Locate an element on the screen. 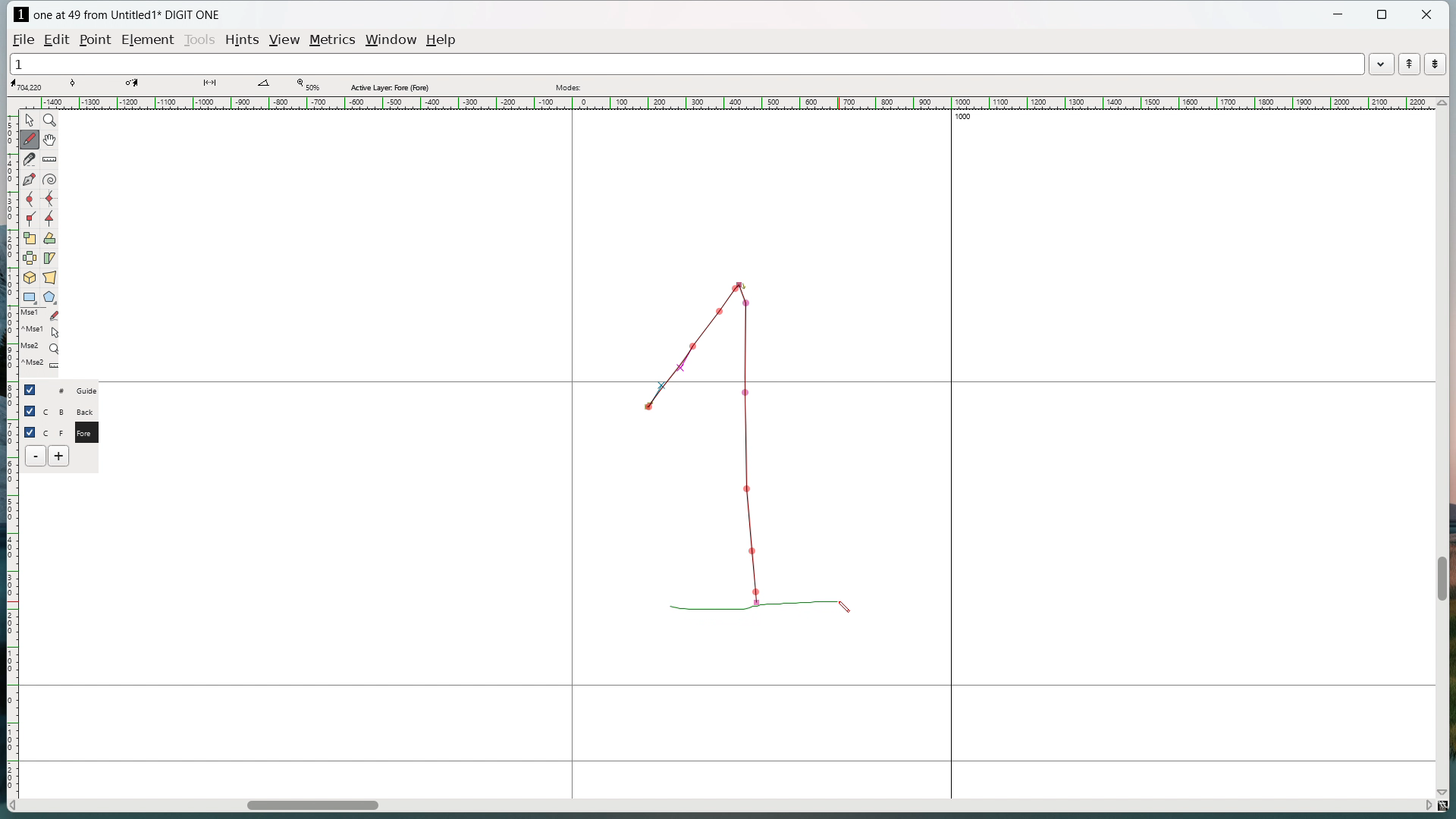  perspective transformation is located at coordinates (49, 277).